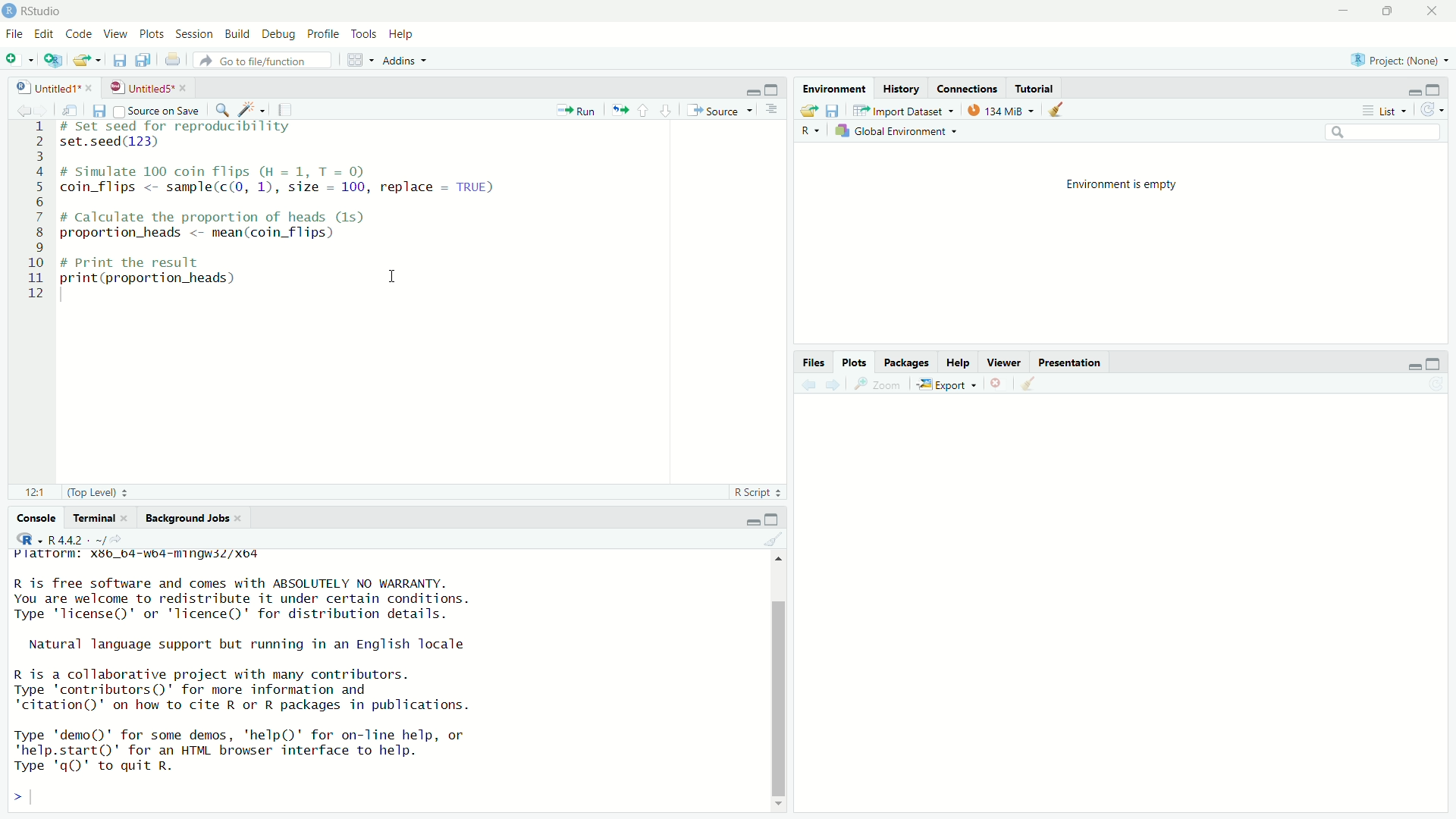 The width and height of the screenshot is (1456, 819). Describe the element at coordinates (1120, 596) in the screenshot. I see `` at that location.